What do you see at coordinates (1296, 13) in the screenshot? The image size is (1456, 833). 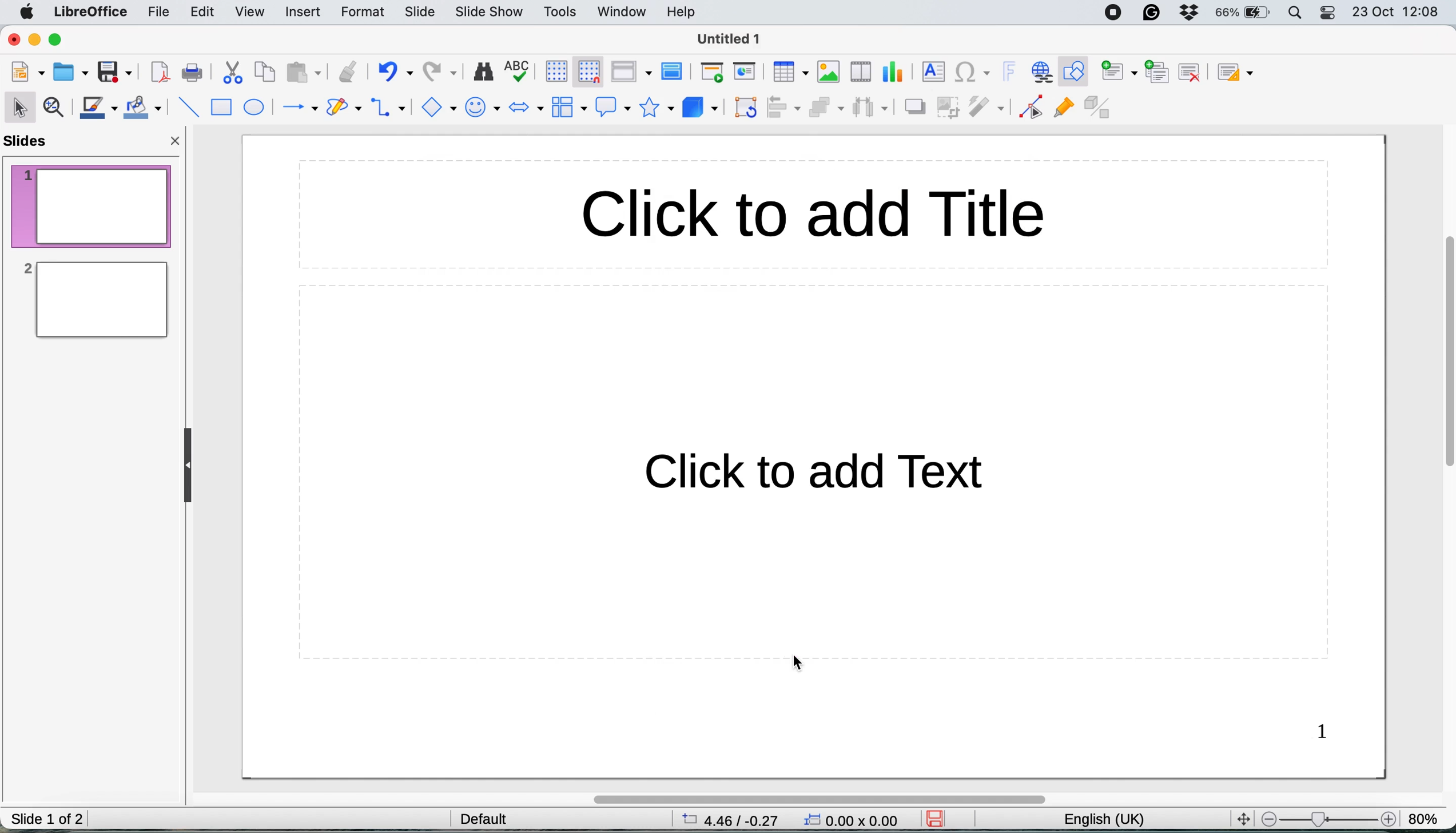 I see `spotlight search` at bounding box center [1296, 13].